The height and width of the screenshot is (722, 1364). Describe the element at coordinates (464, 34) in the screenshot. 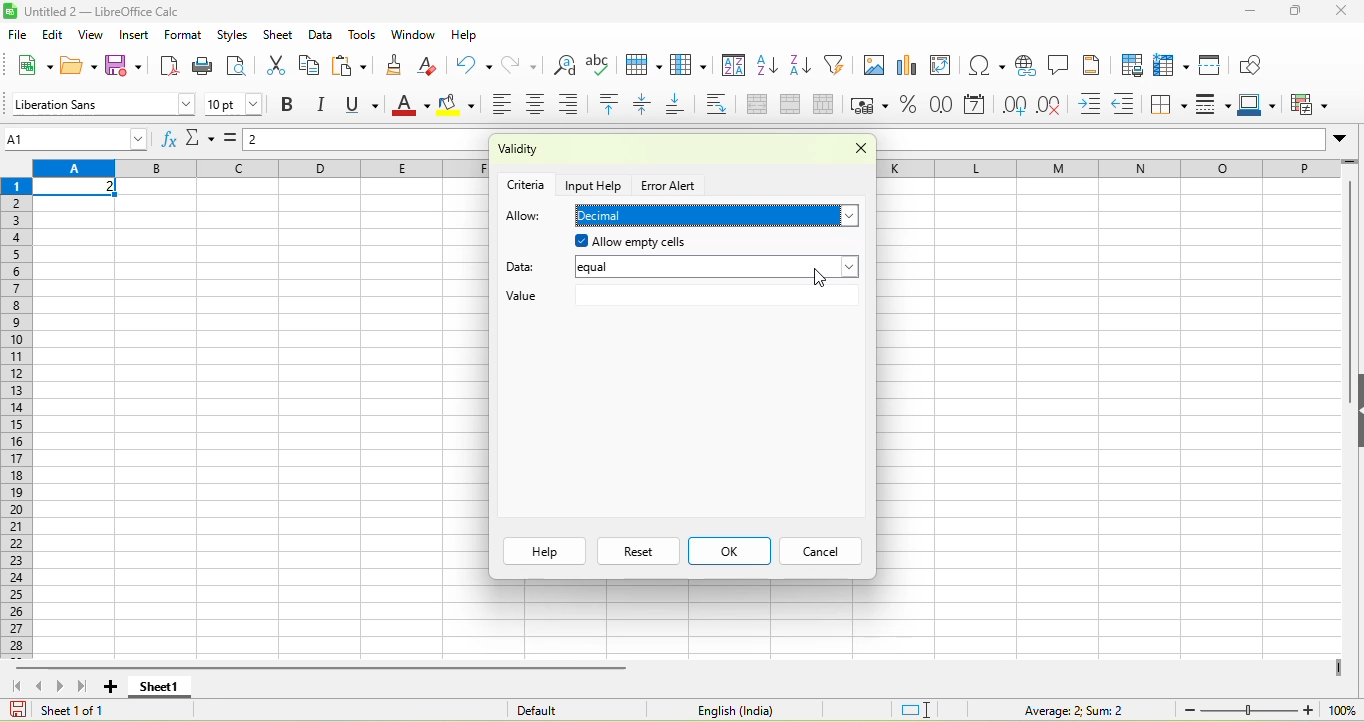

I see `help` at that location.